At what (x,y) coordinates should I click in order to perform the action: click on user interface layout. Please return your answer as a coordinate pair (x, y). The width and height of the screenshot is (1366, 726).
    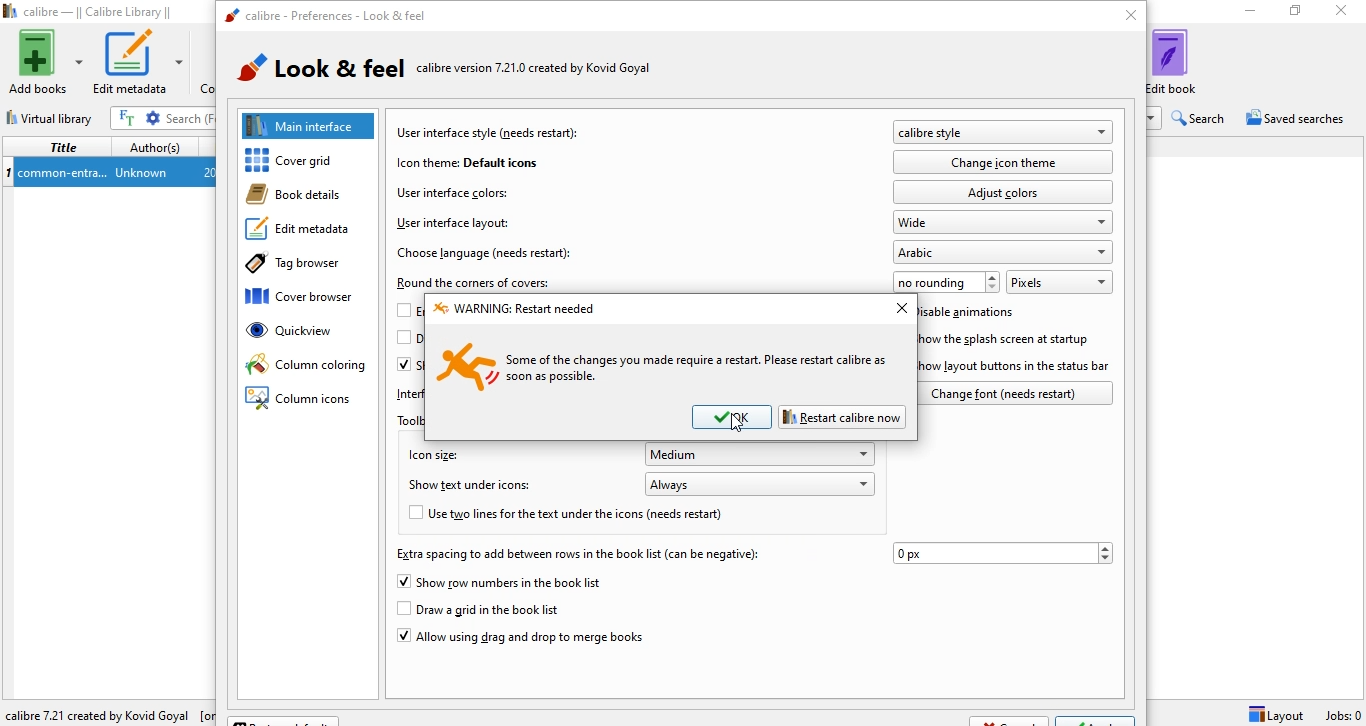
    Looking at the image, I should click on (451, 223).